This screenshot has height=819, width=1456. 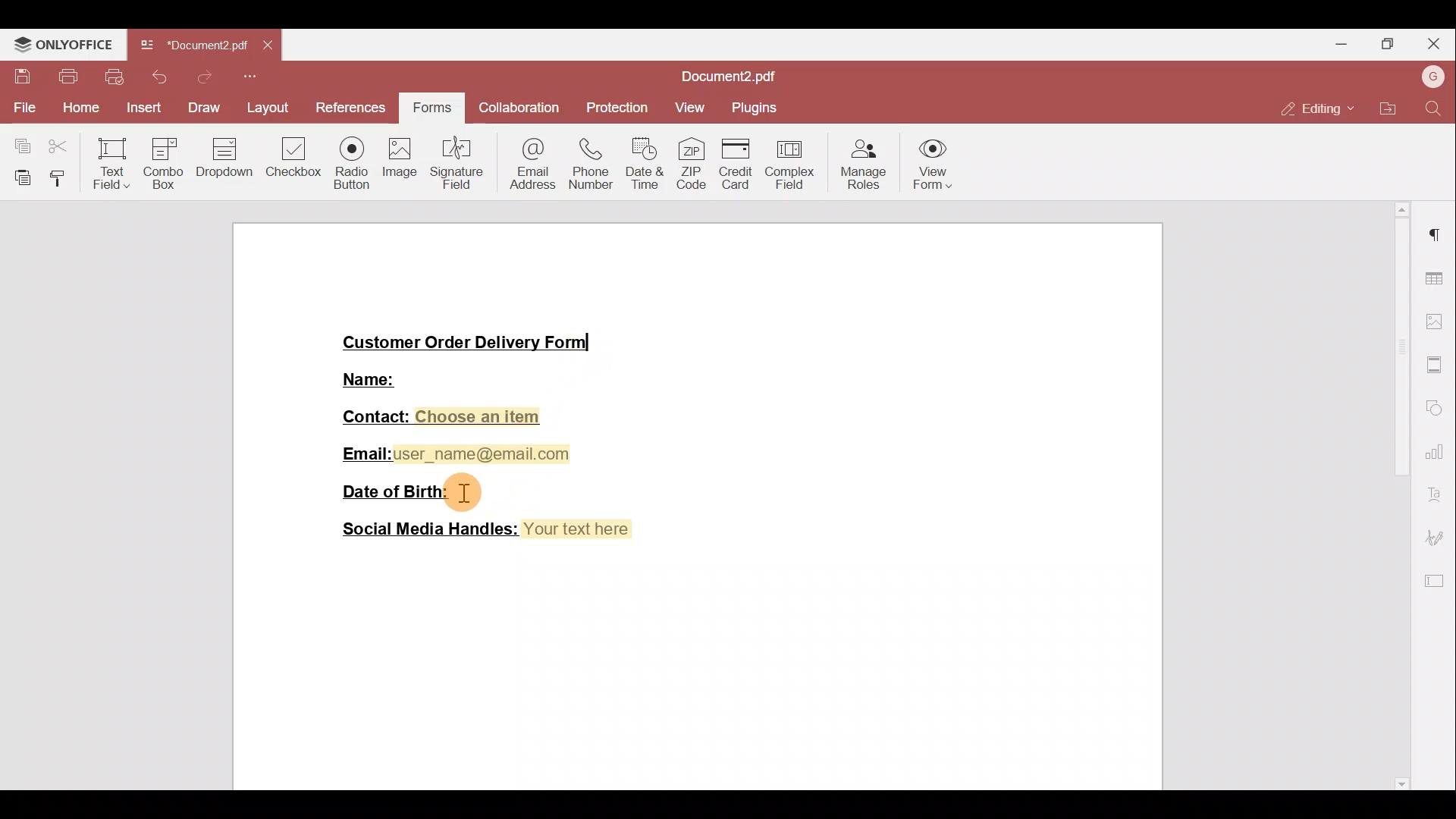 What do you see at coordinates (62, 143) in the screenshot?
I see `Cut` at bounding box center [62, 143].